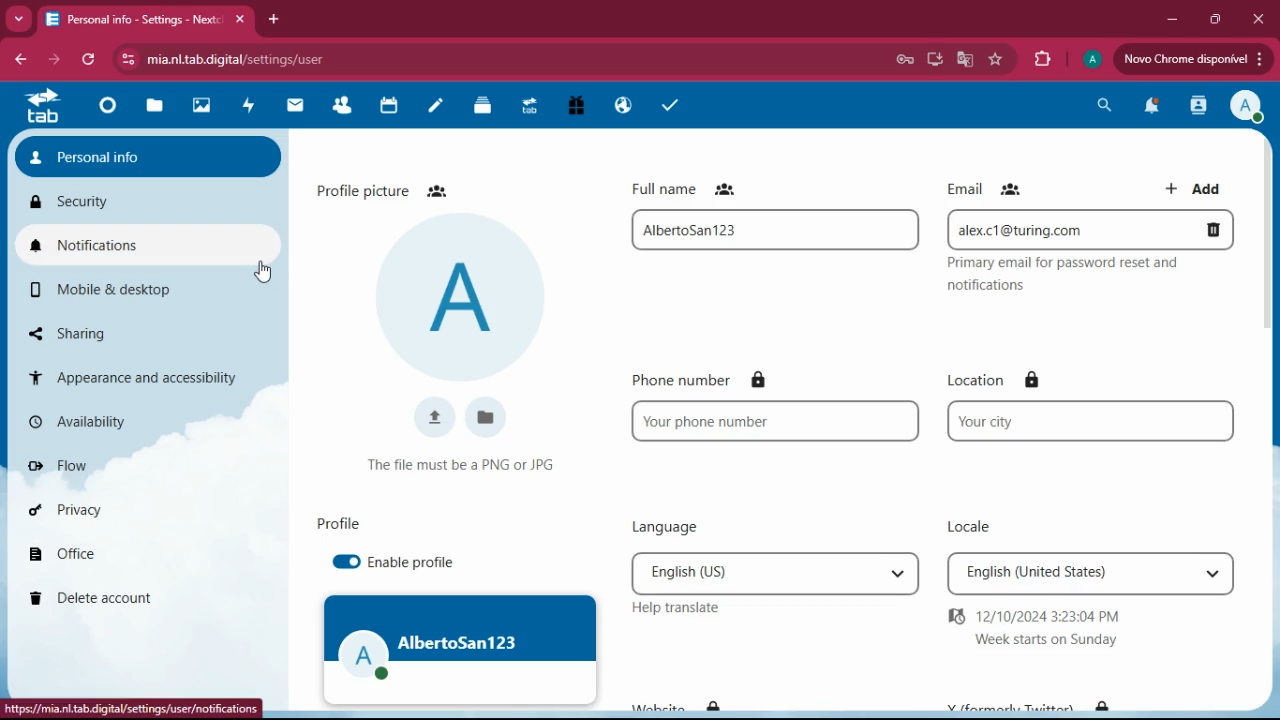  Describe the element at coordinates (434, 111) in the screenshot. I see `notes` at that location.